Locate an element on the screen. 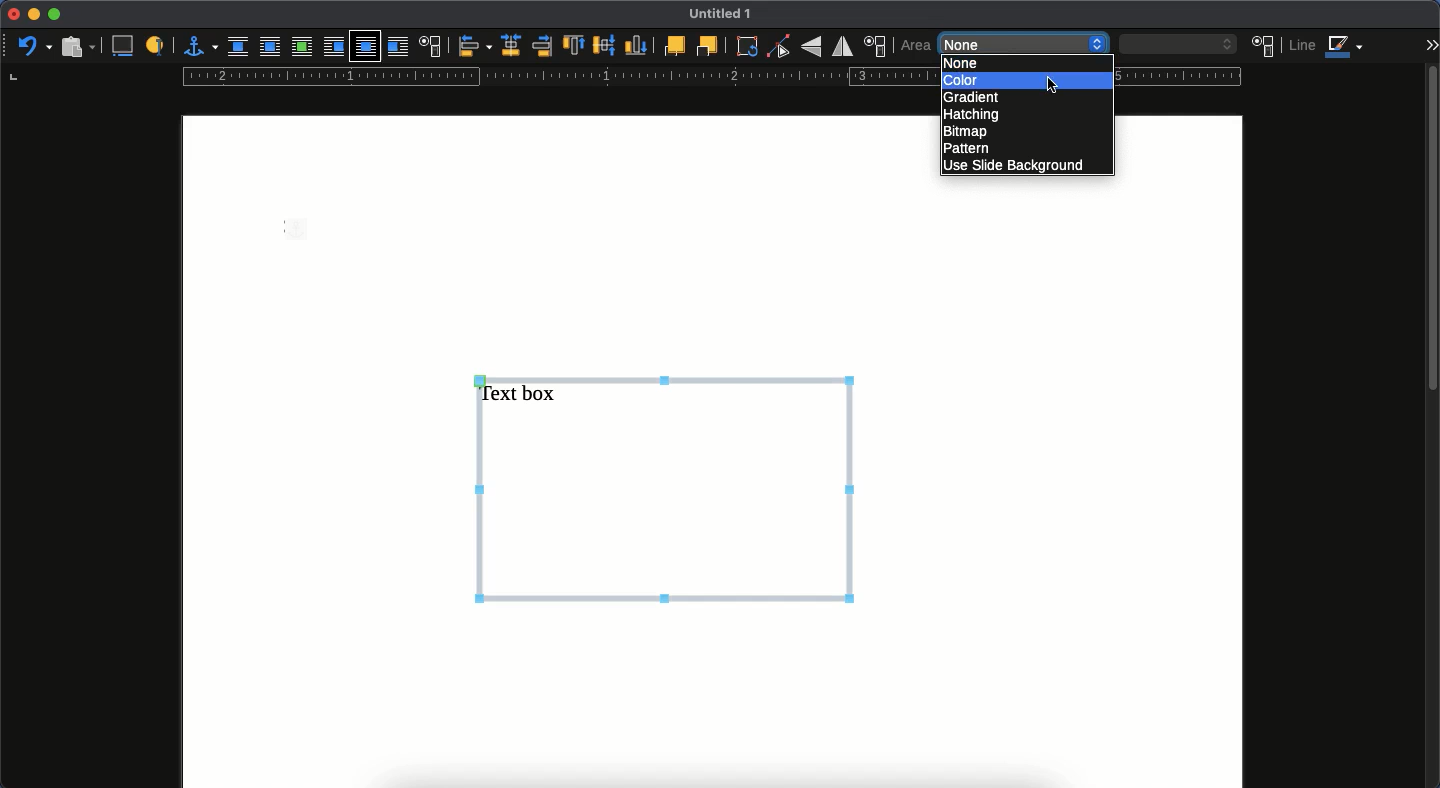  align objects is located at coordinates (474, 47).